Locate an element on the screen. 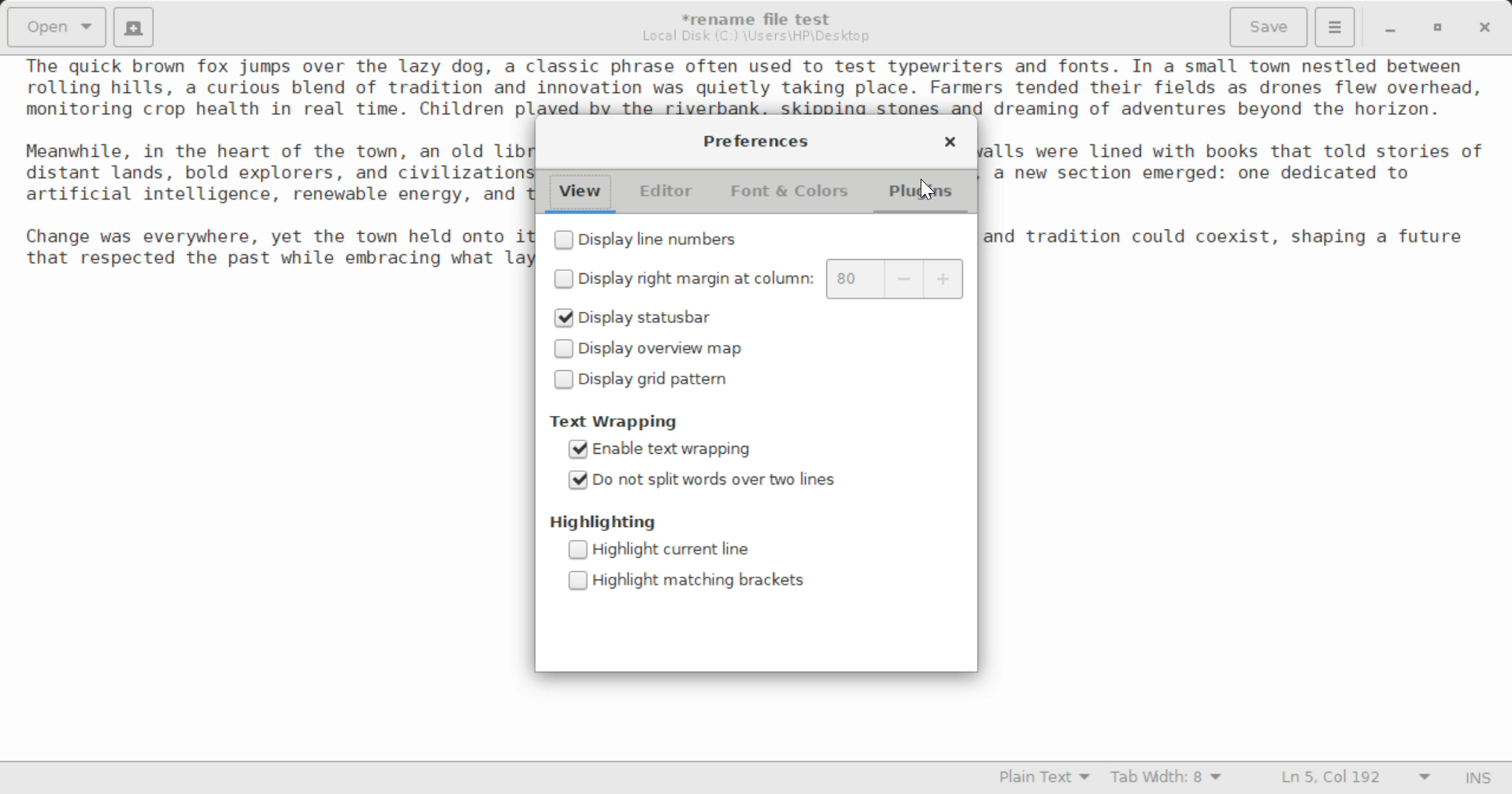 The width and height of the screenshot is (1512, 794). Save is located at coordinates (1270, 28).